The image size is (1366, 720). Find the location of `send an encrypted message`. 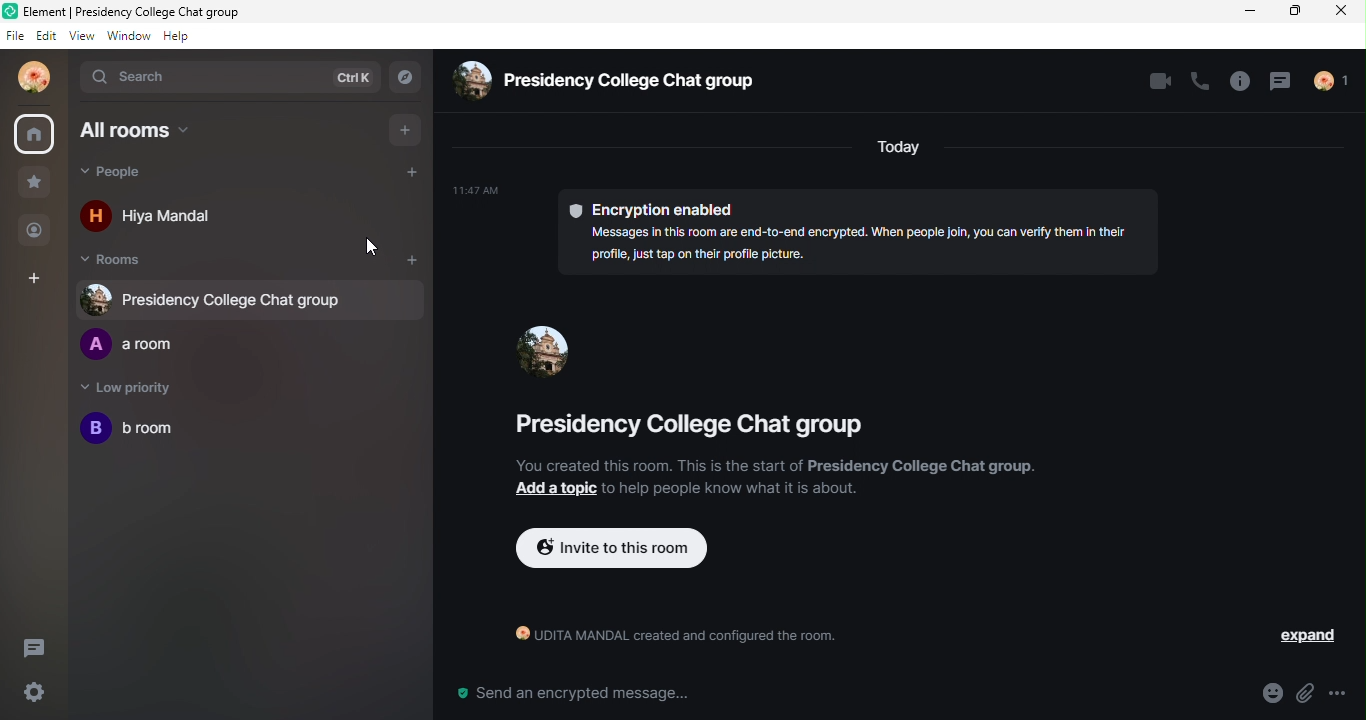

send an encrypted message is located at coordinates (571, 694).